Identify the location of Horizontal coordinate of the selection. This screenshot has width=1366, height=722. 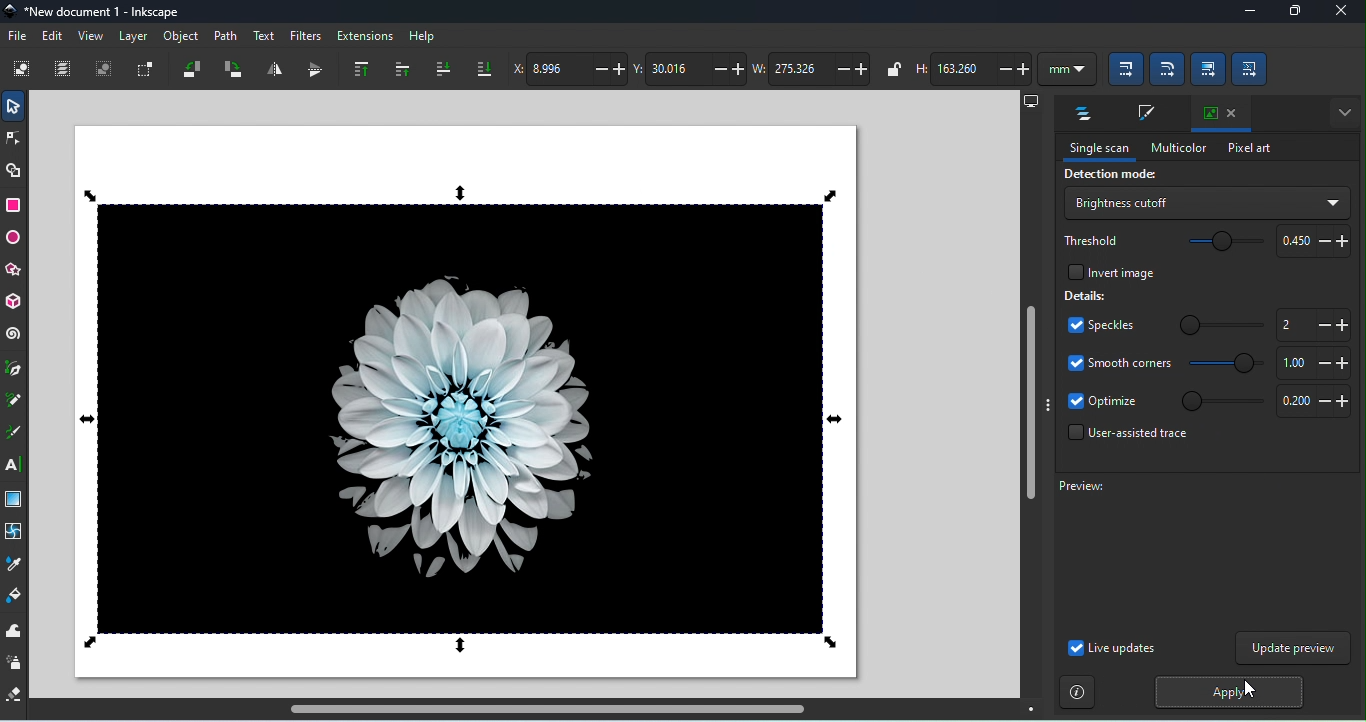
(572, 69).